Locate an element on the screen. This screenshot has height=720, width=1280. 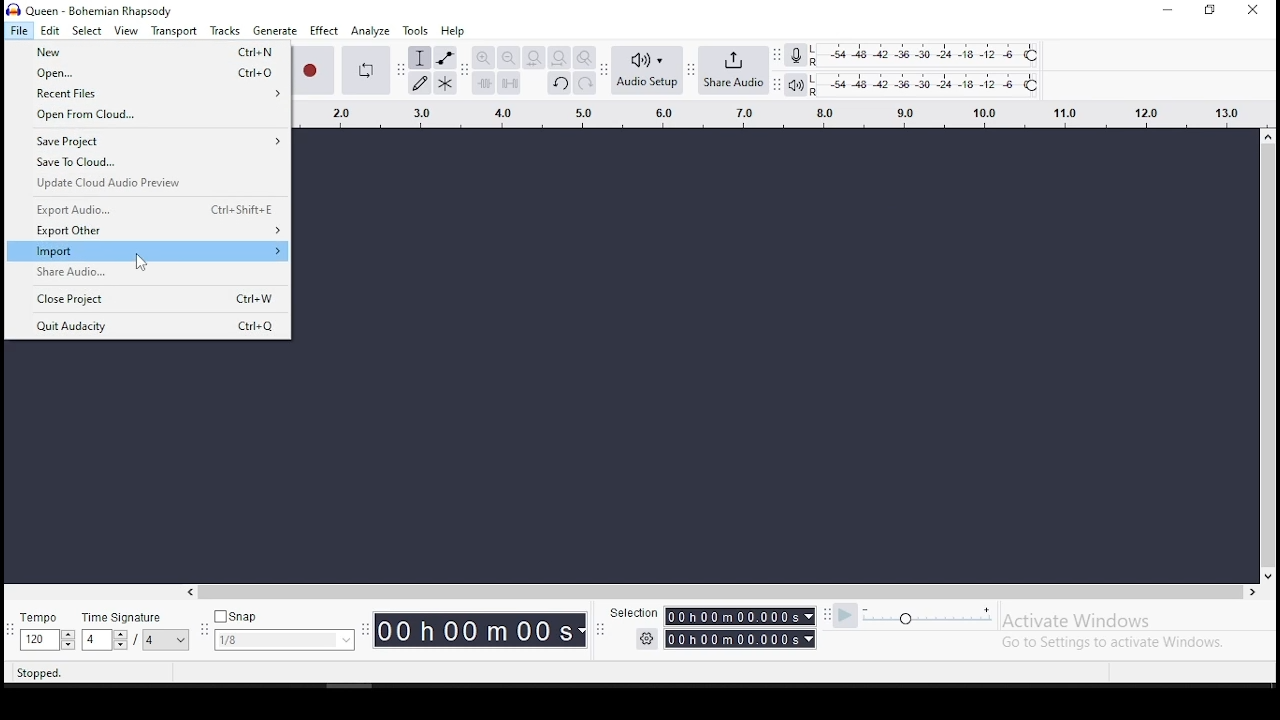
recent files is located at coordinates (146, 95).